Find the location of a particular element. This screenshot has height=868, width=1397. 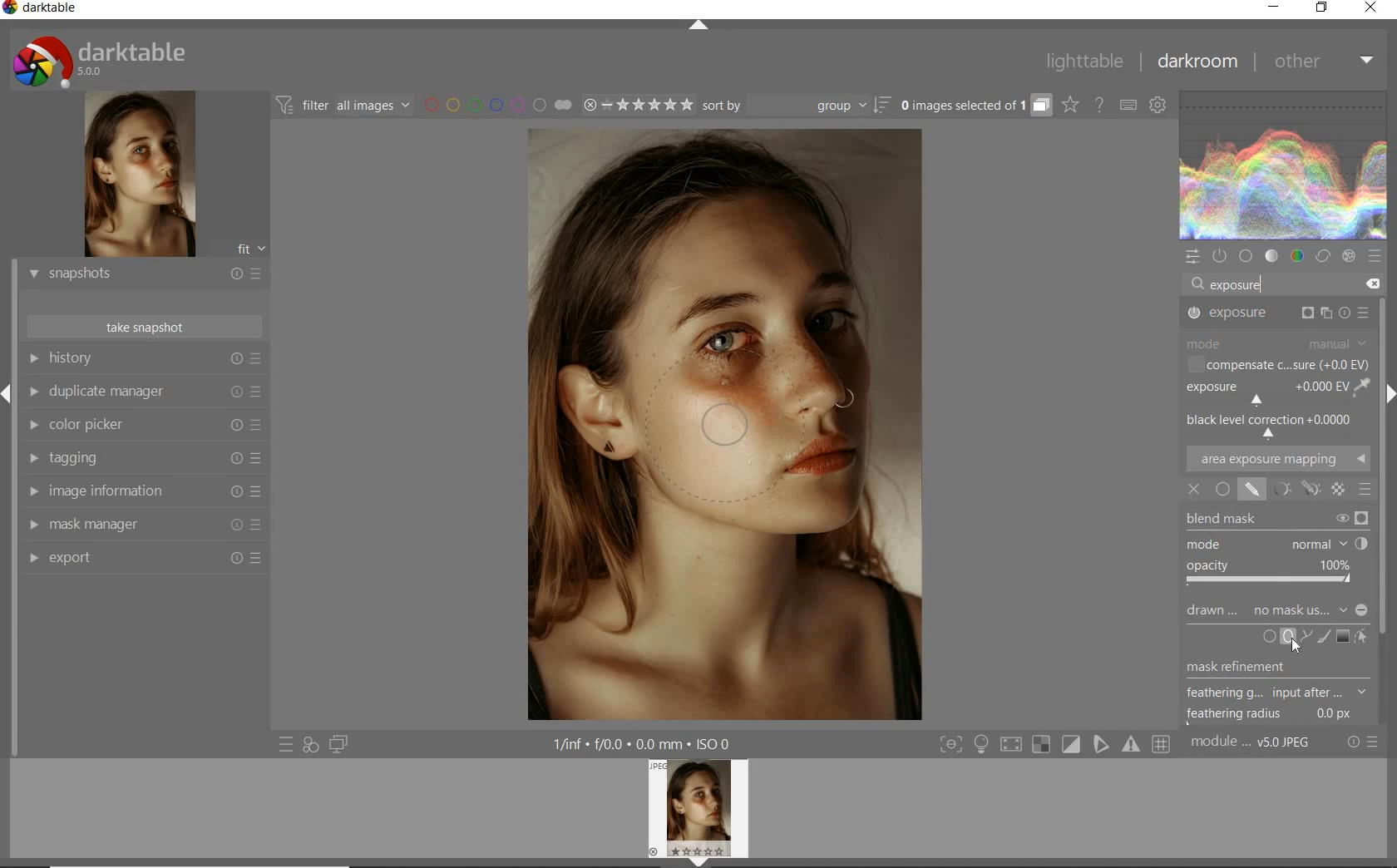

system logo is located at coordinates (108, 59).